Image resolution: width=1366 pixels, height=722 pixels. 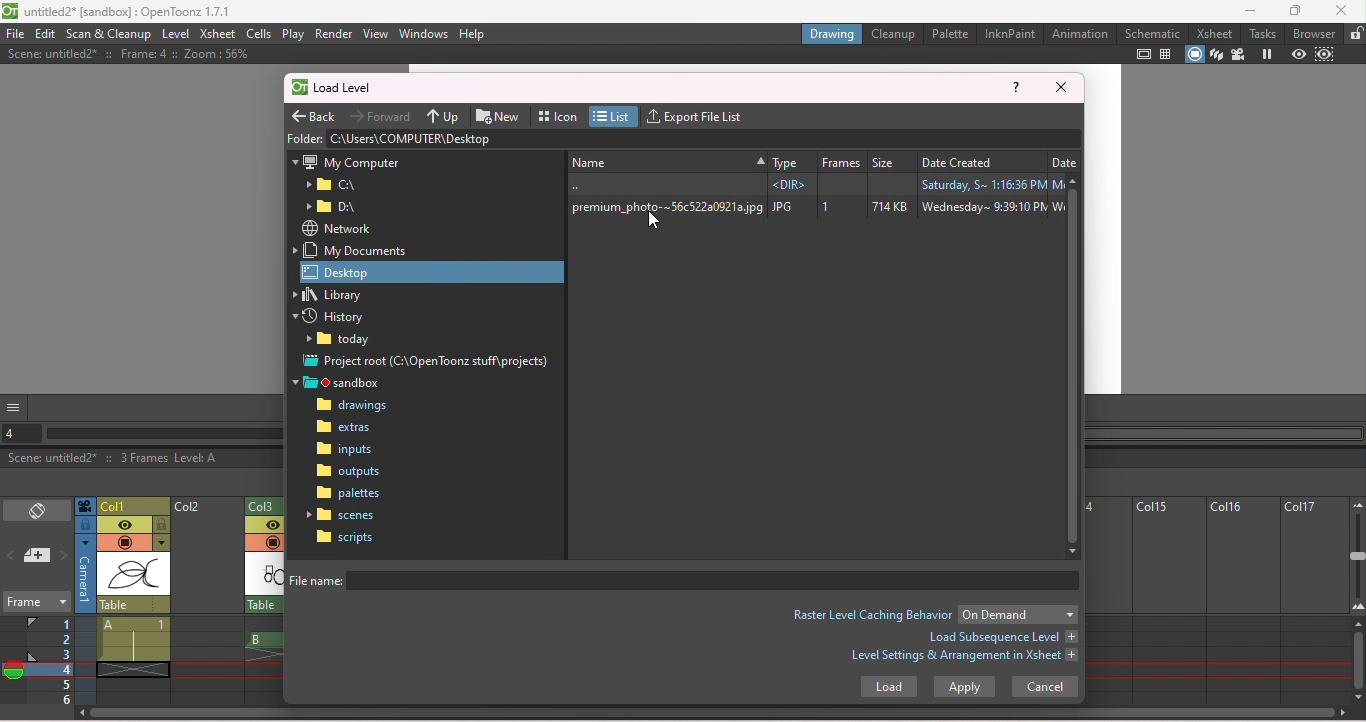 What do you see at coordinates (665, 160) in the screenshot?
I see `New` at bounding box center [665, 160].